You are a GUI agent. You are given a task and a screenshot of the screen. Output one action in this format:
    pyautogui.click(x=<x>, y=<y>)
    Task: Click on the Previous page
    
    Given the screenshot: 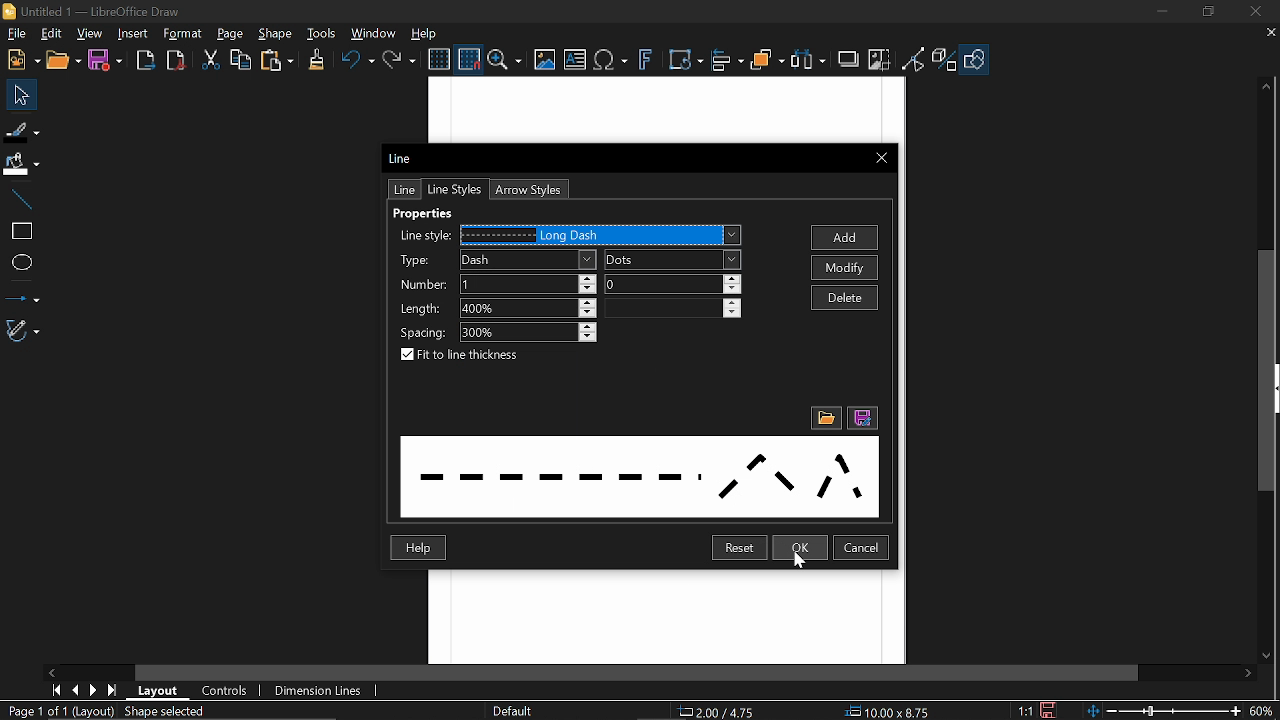 What is the action you would take?
    pyautogui.click(x=78, y=689)
    